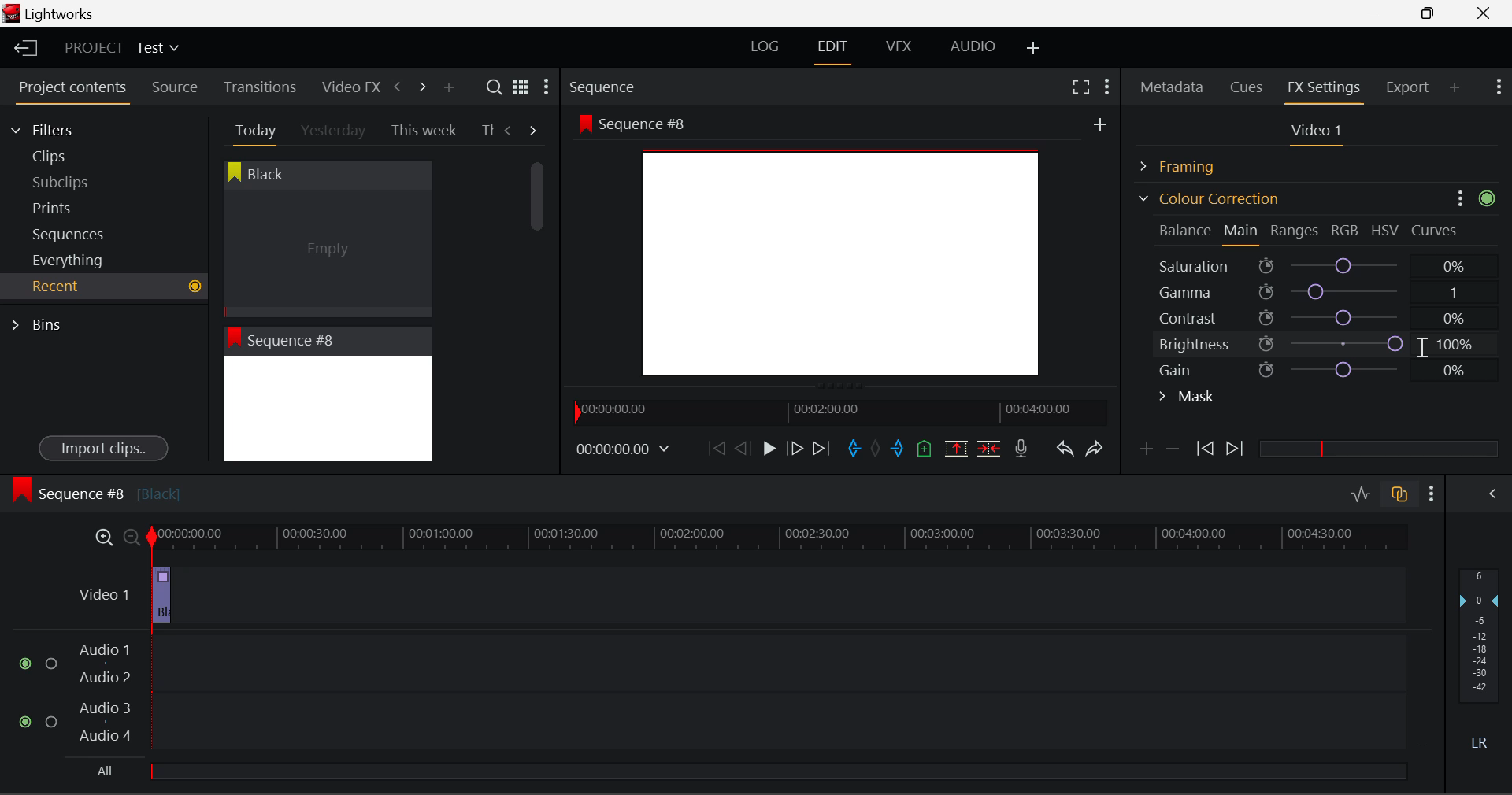  I want to click on Export Panel, so click(1410, 87).